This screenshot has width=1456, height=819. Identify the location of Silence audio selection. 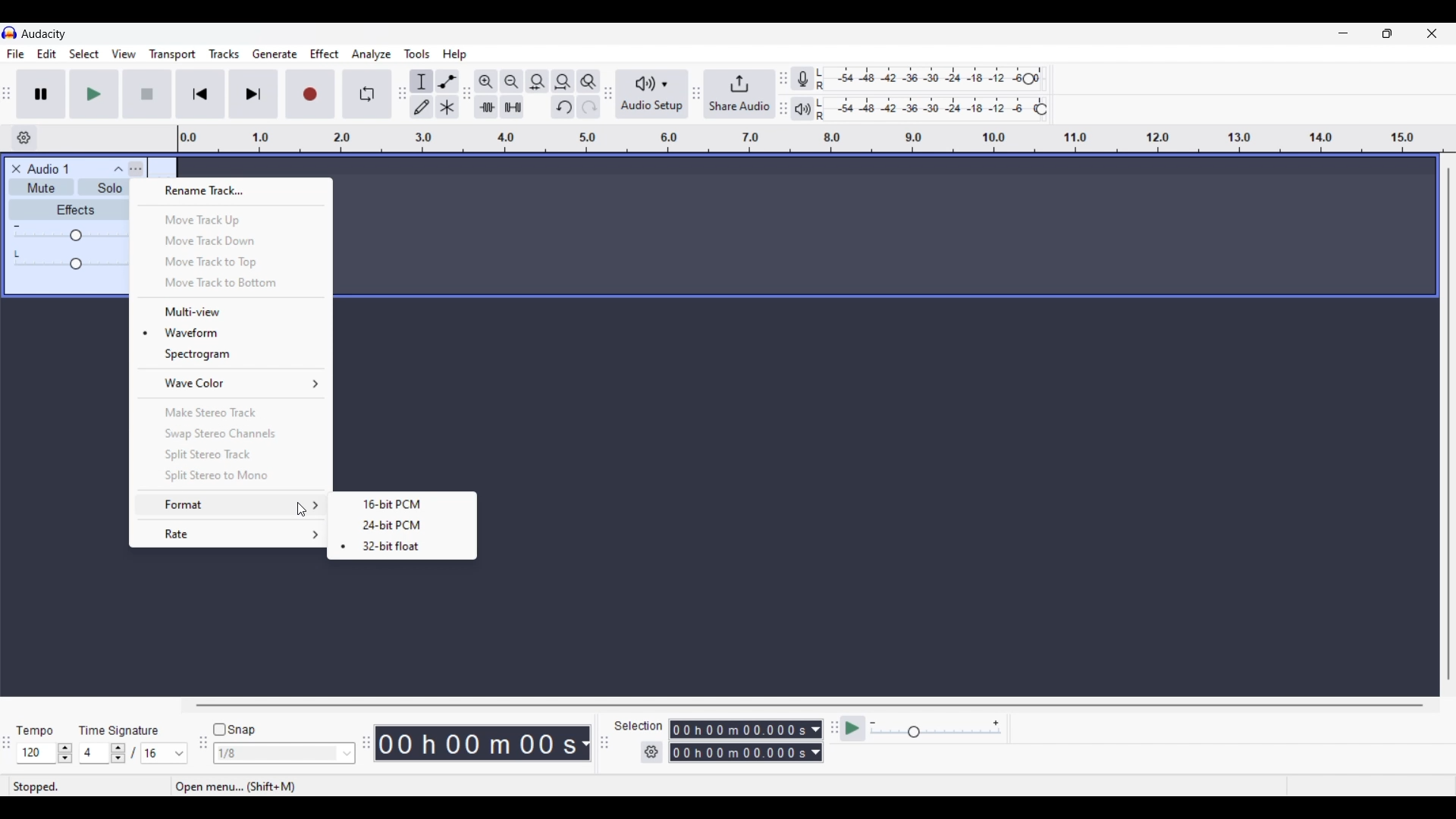
(512, 107).